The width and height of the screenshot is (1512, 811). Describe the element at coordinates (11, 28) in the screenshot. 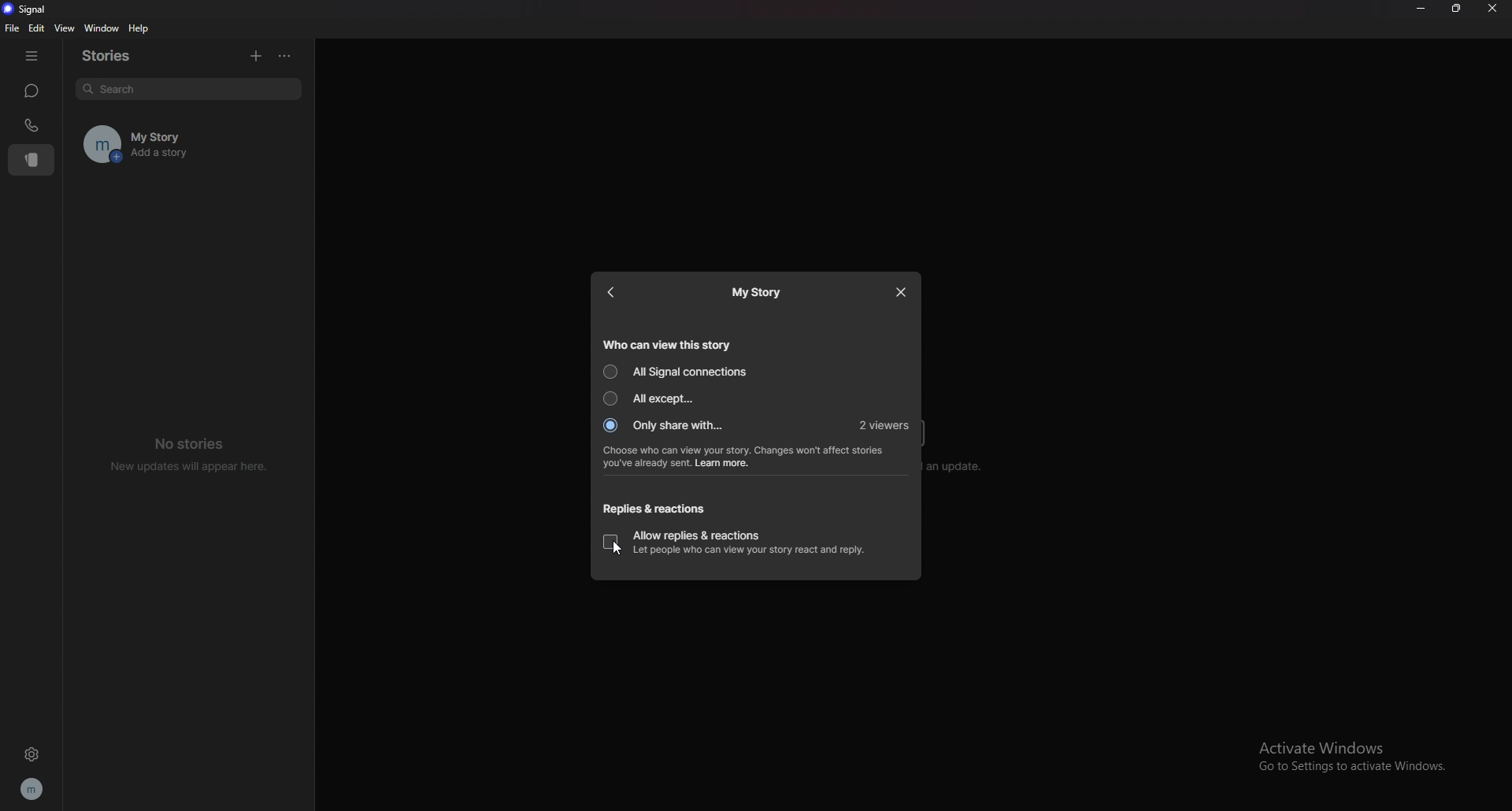

I see `file` at that location.